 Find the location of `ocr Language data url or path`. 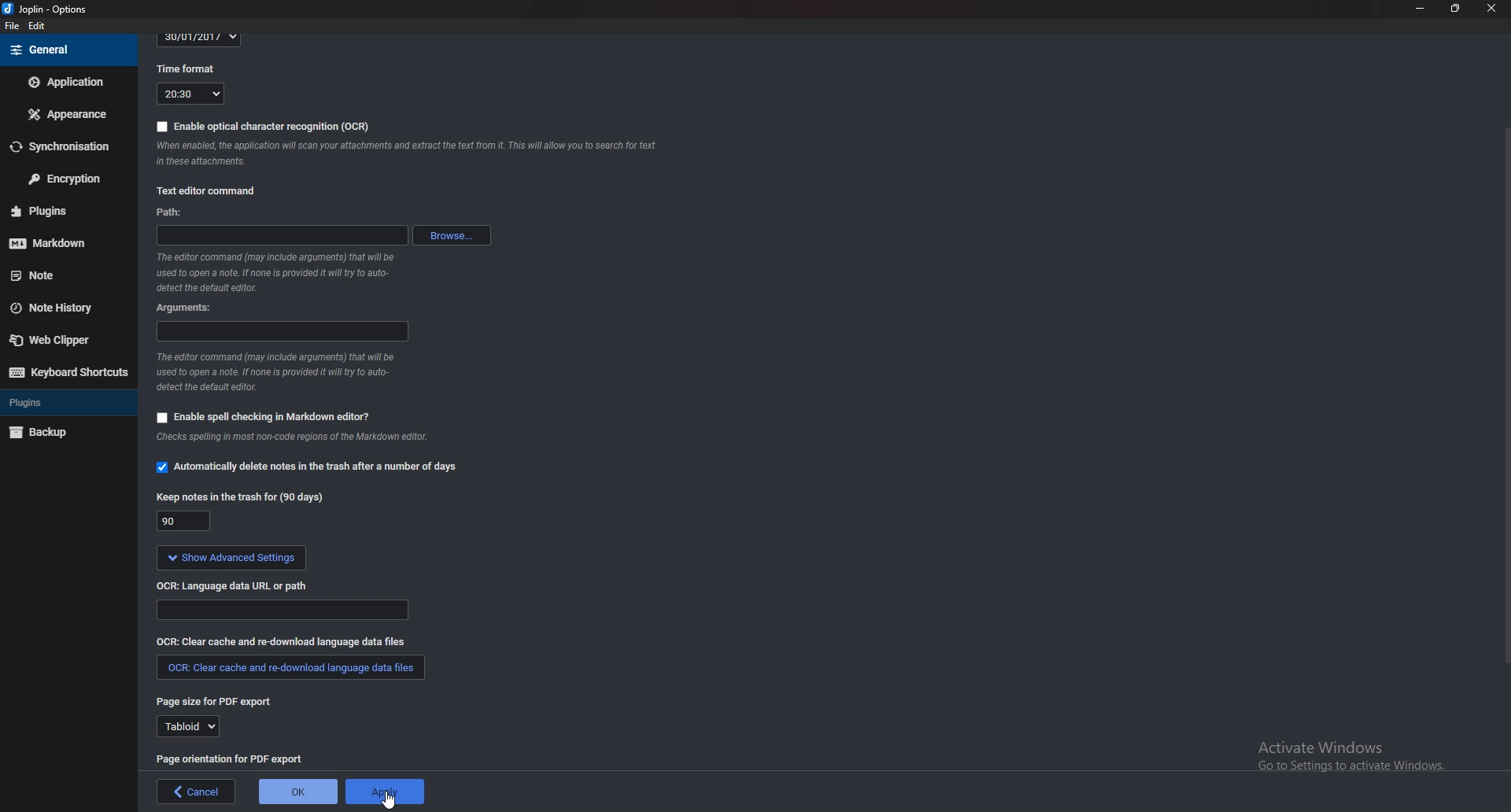

ocr Language data url or path is located at coordinates (235, 585).